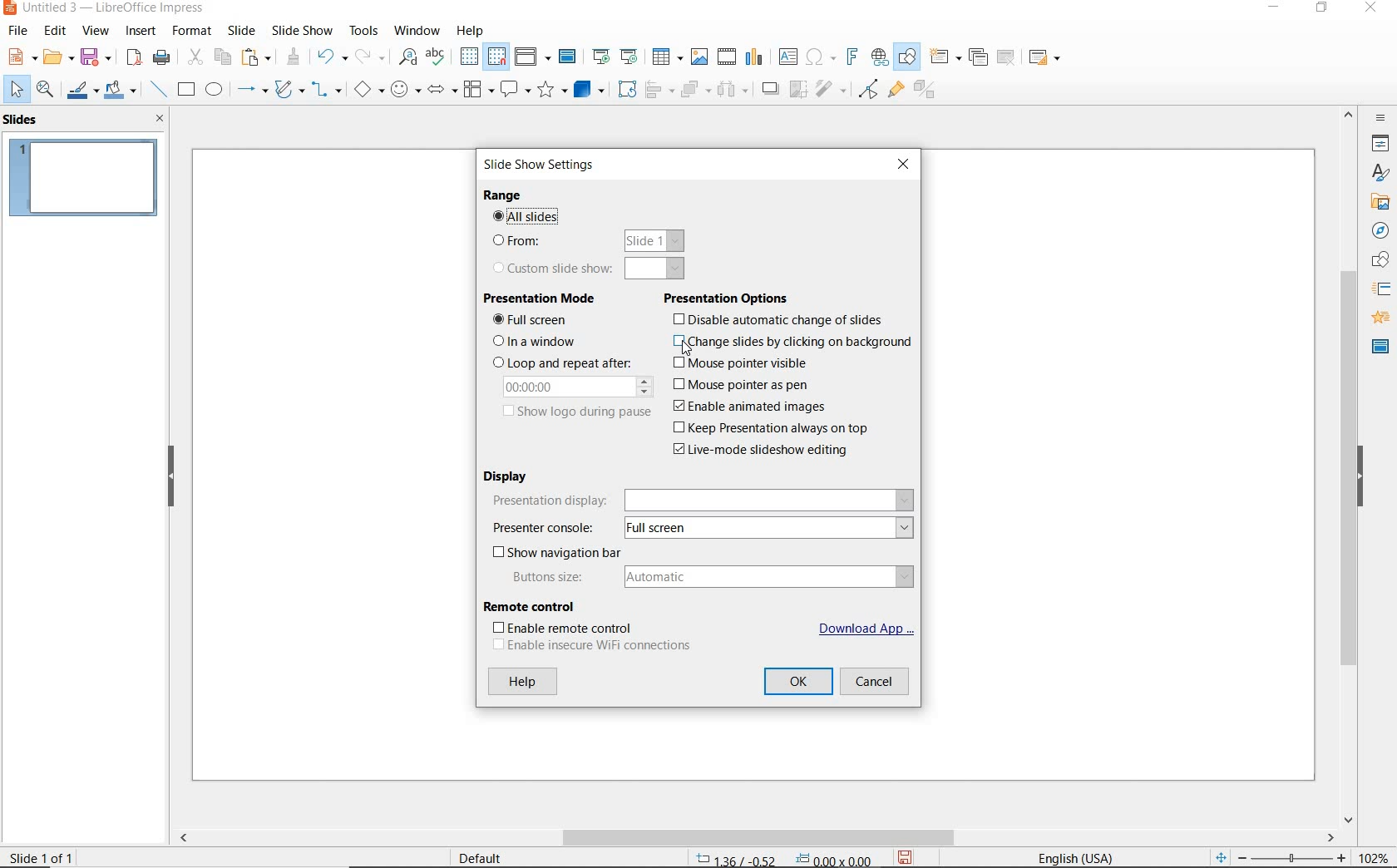  What do you see at coordinates (253, 91) in the screenshot?
I see `LINES AND ARROWS` at bounding box center [253, 91].